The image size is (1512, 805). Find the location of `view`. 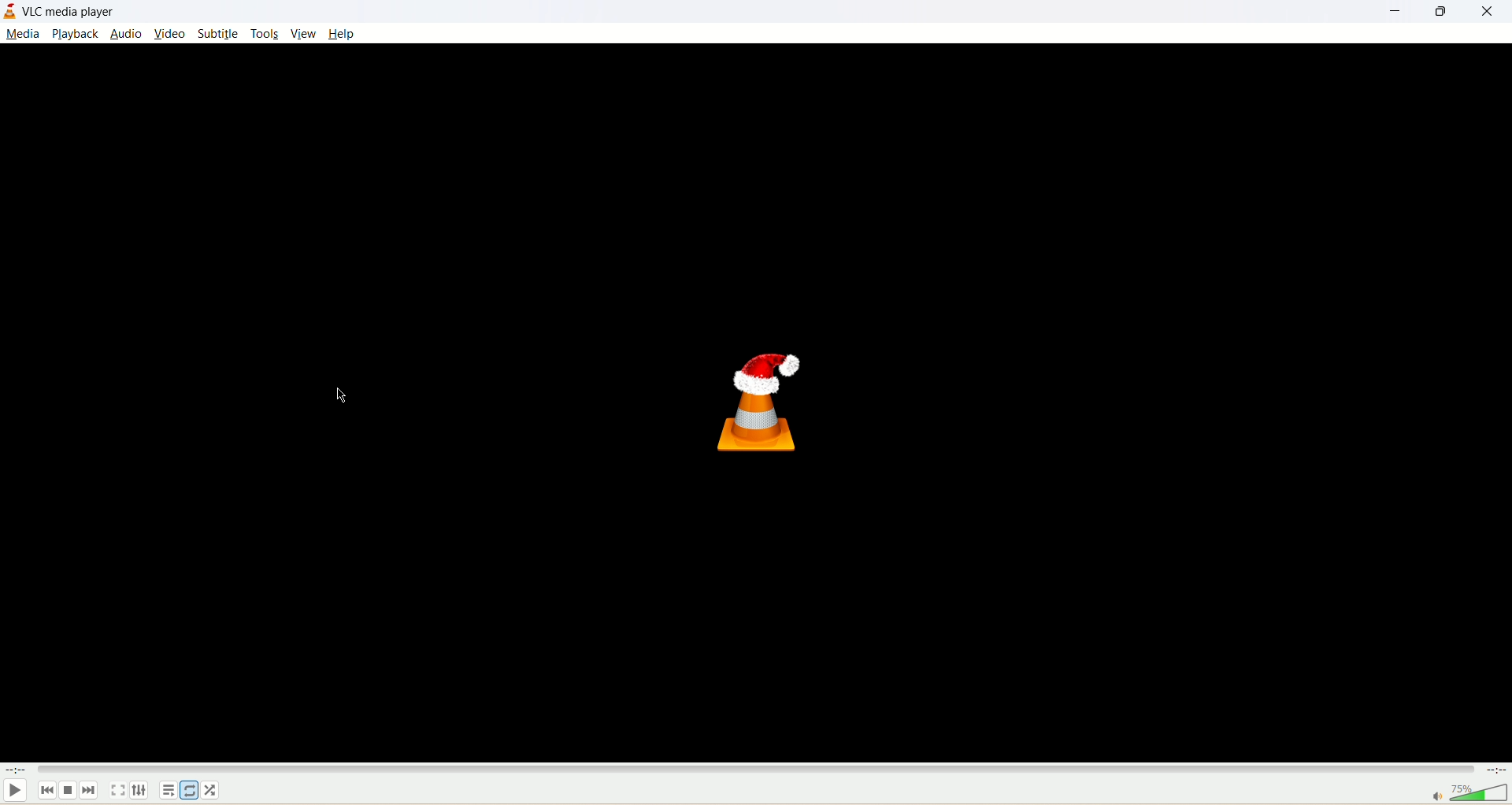

view is located at coordinates (303, 32).